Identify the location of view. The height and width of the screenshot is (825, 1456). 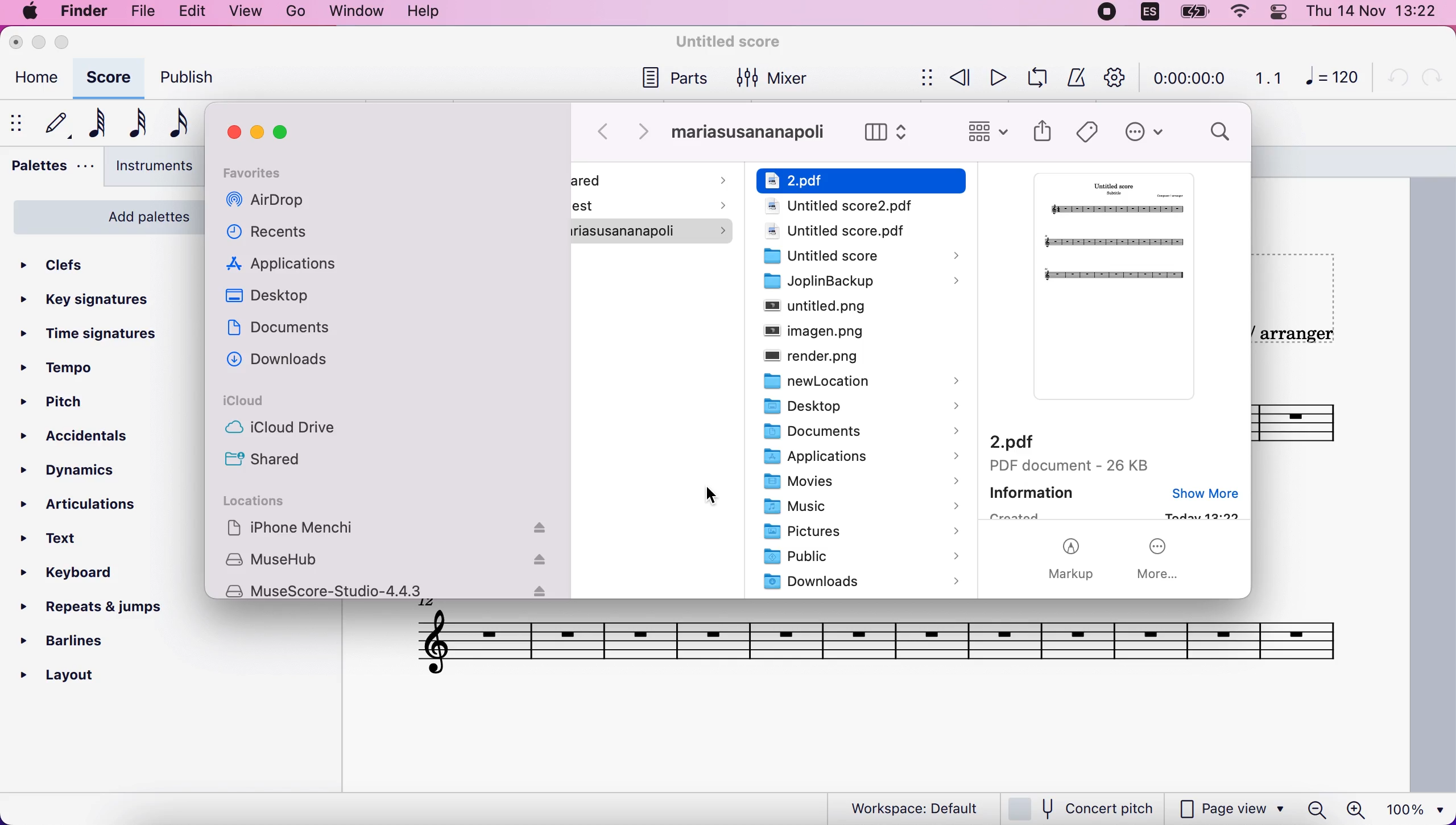
(247, 12).